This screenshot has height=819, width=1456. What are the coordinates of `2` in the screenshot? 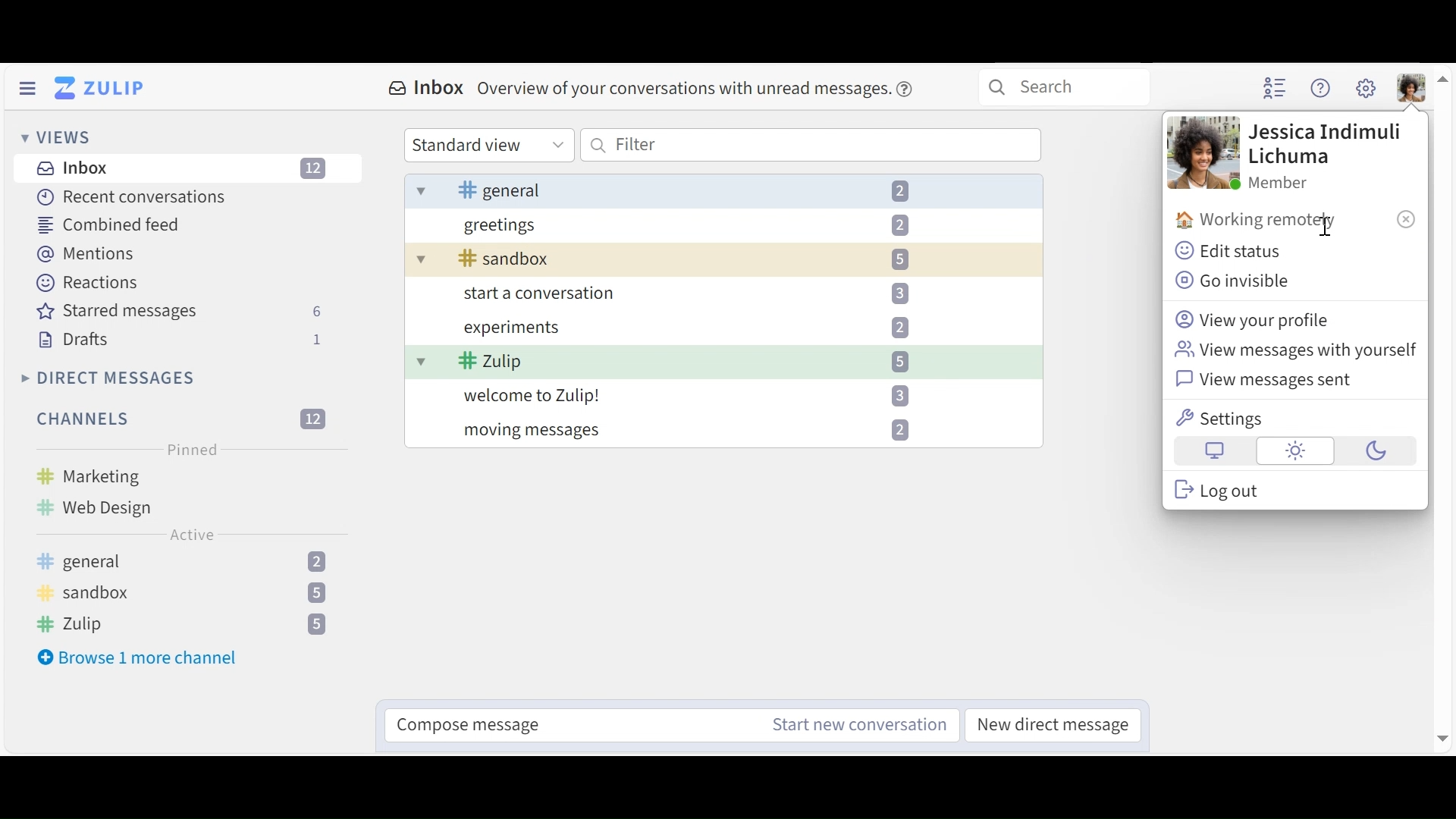 It's located at (901, 225).